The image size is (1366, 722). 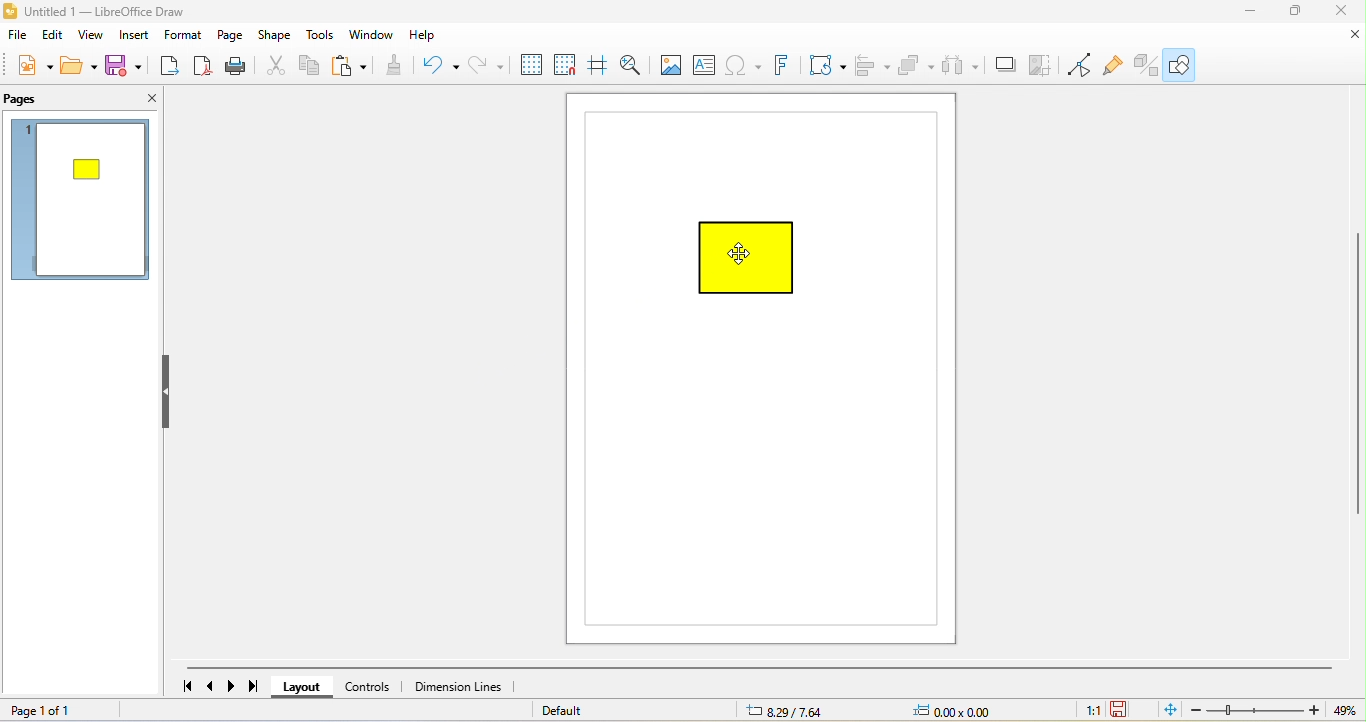 I want to click on toggle draw function, so click(x=1144, y=63).